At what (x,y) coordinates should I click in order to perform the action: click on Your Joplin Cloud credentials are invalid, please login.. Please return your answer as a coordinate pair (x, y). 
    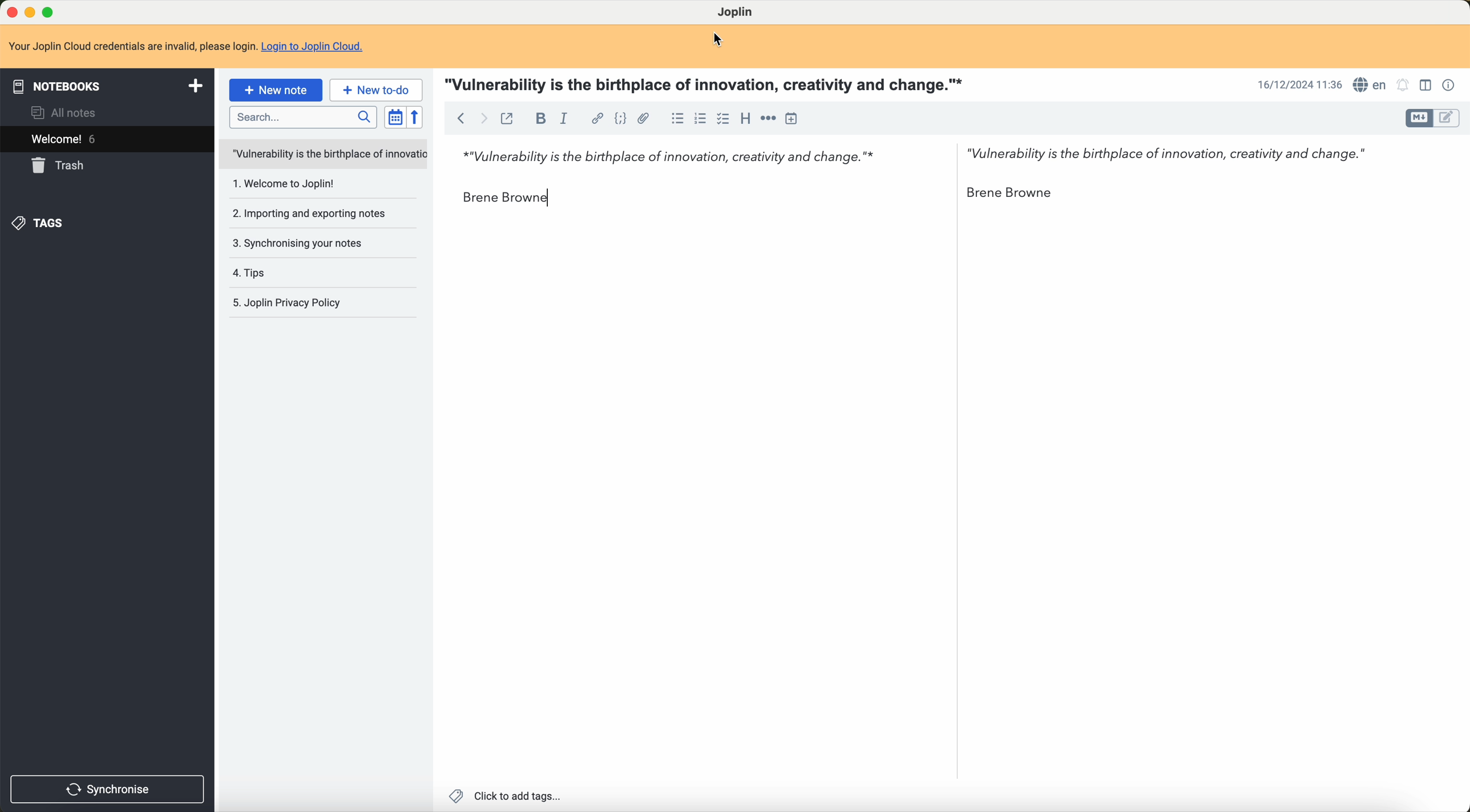
    Looking at the image, I should click on (131, 45).